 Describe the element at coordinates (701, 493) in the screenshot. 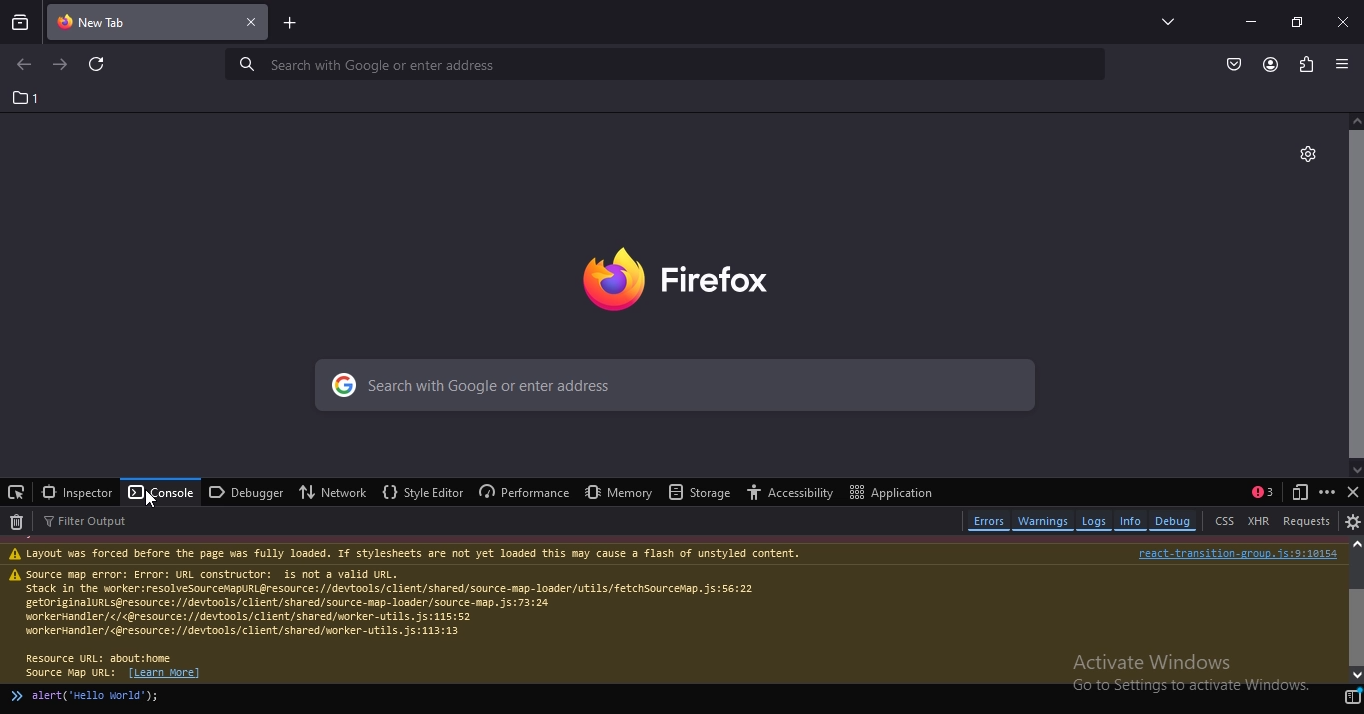

I see `storage` at that location.